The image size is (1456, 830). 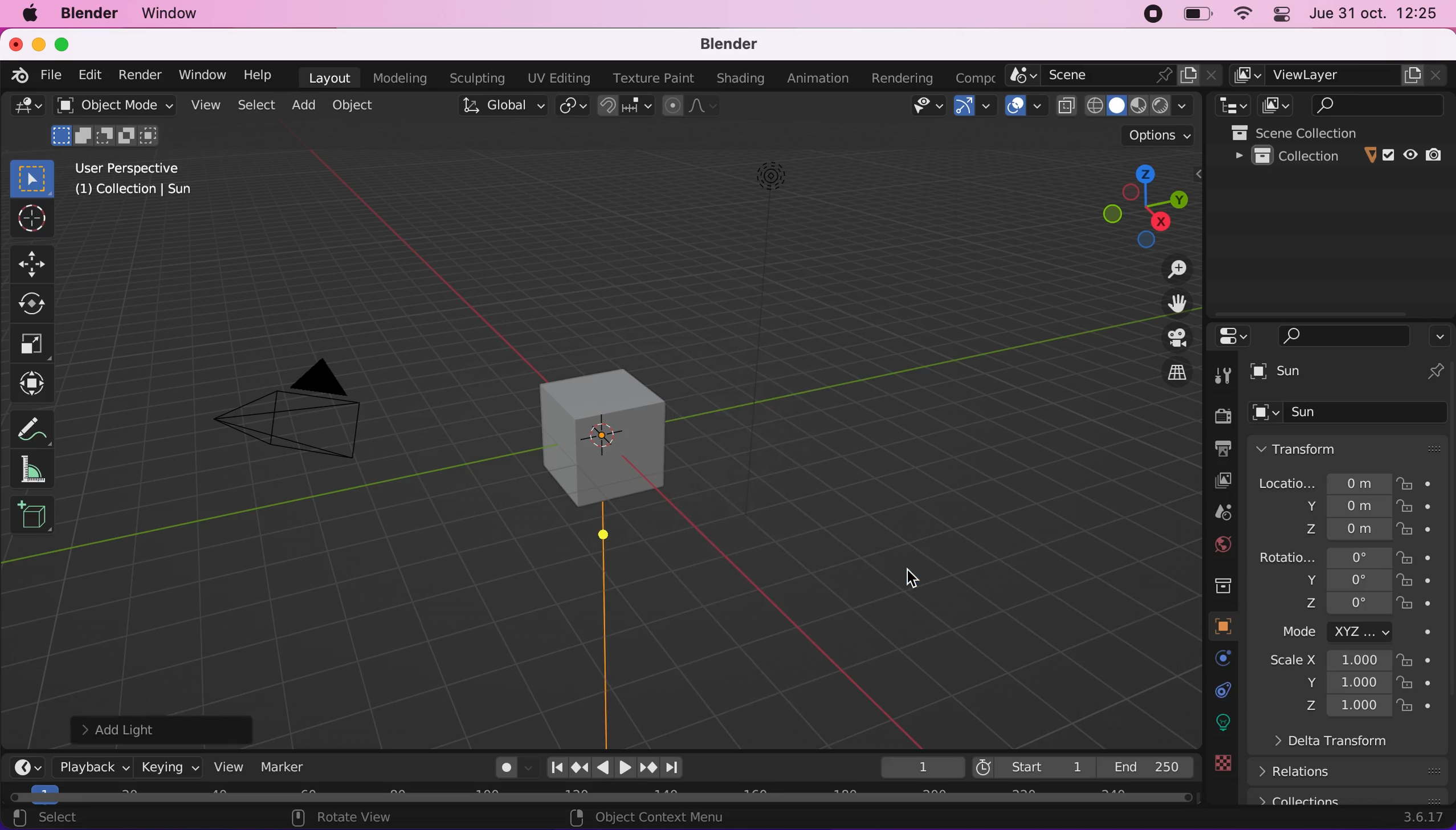 I want to click on wifi, so click(x=1241, y=14).